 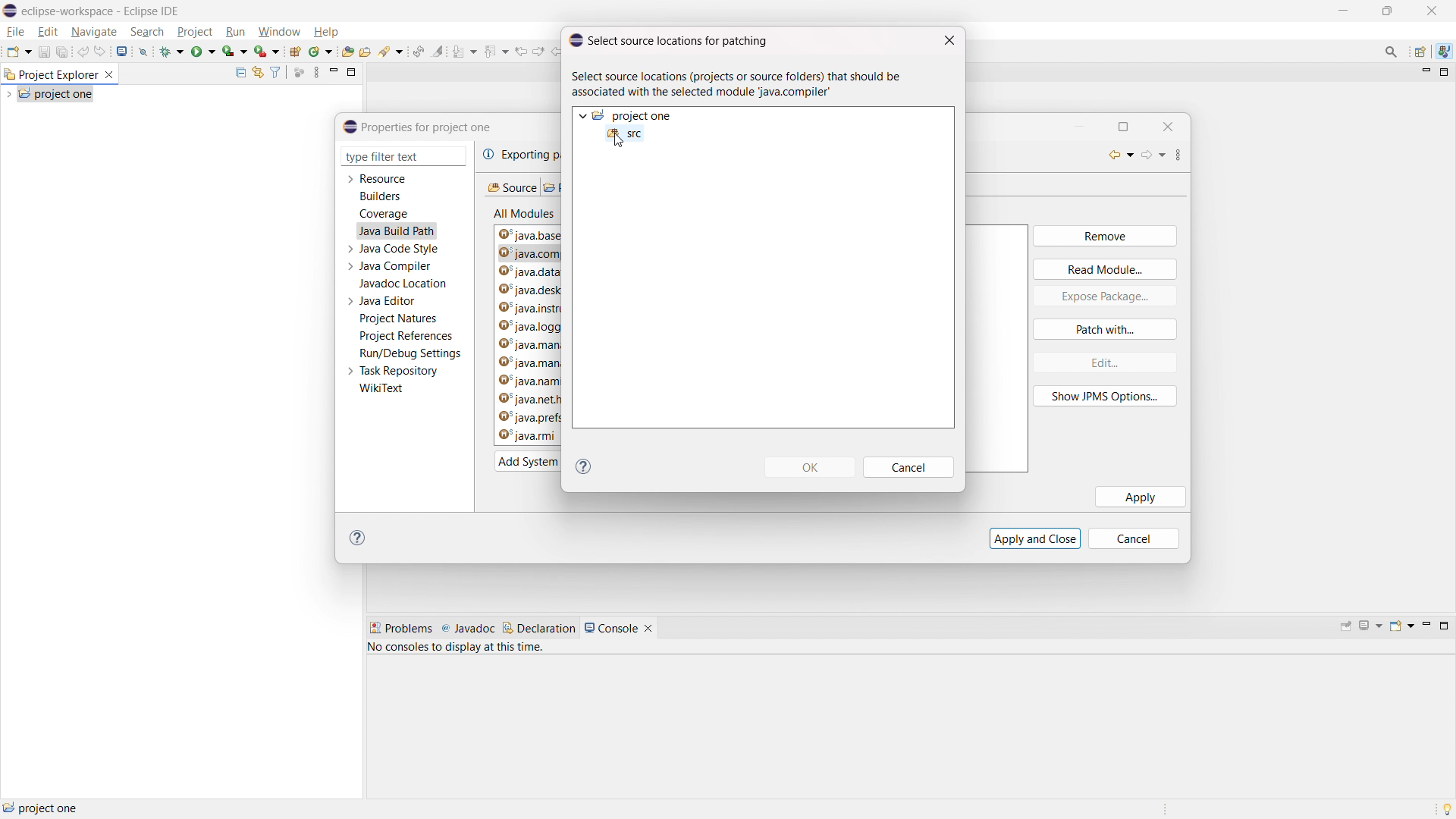 I want to click on debug, so click(x=172, y=50).